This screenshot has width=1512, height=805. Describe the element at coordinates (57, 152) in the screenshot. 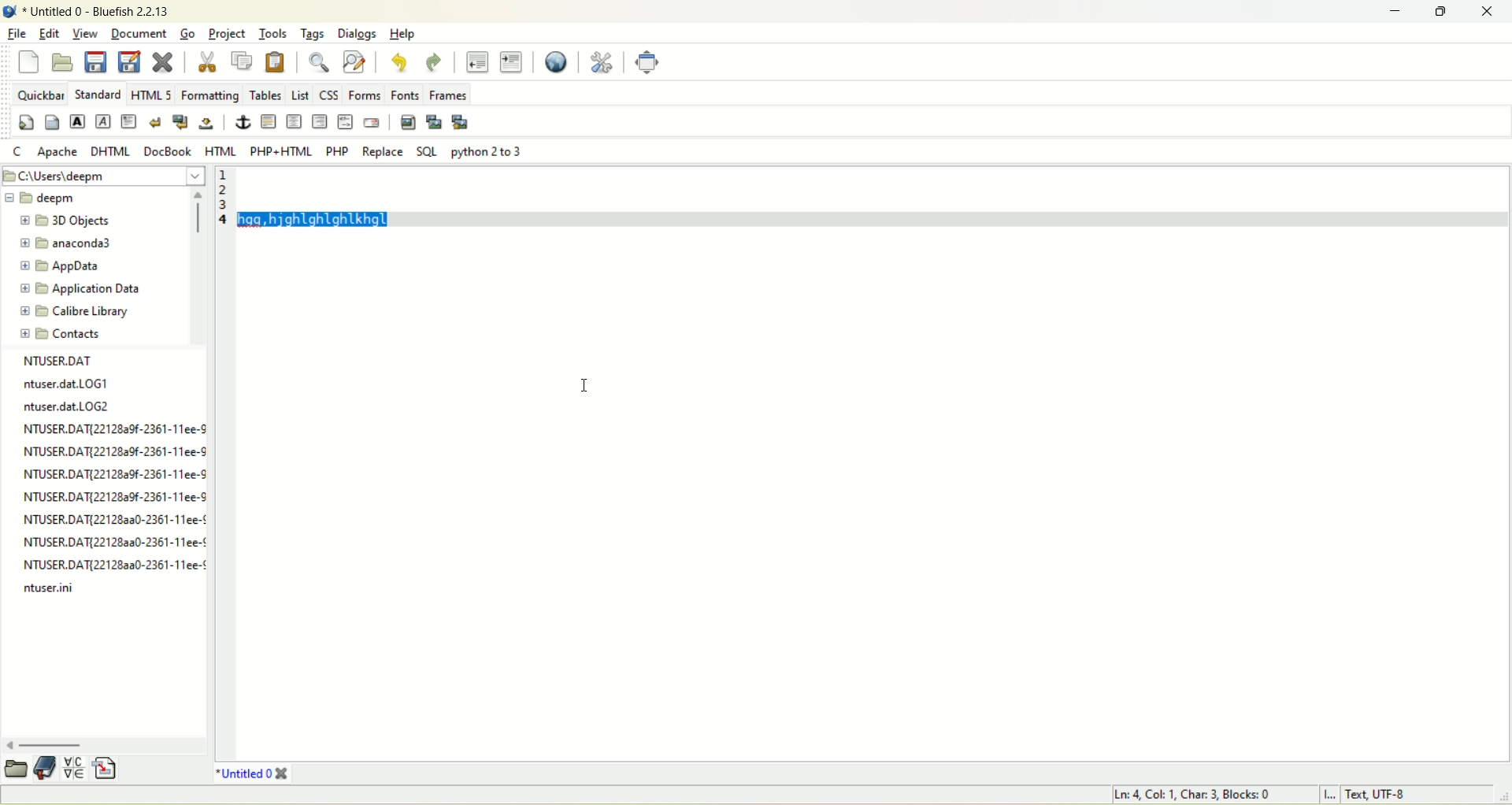

I see `apache` at that location.